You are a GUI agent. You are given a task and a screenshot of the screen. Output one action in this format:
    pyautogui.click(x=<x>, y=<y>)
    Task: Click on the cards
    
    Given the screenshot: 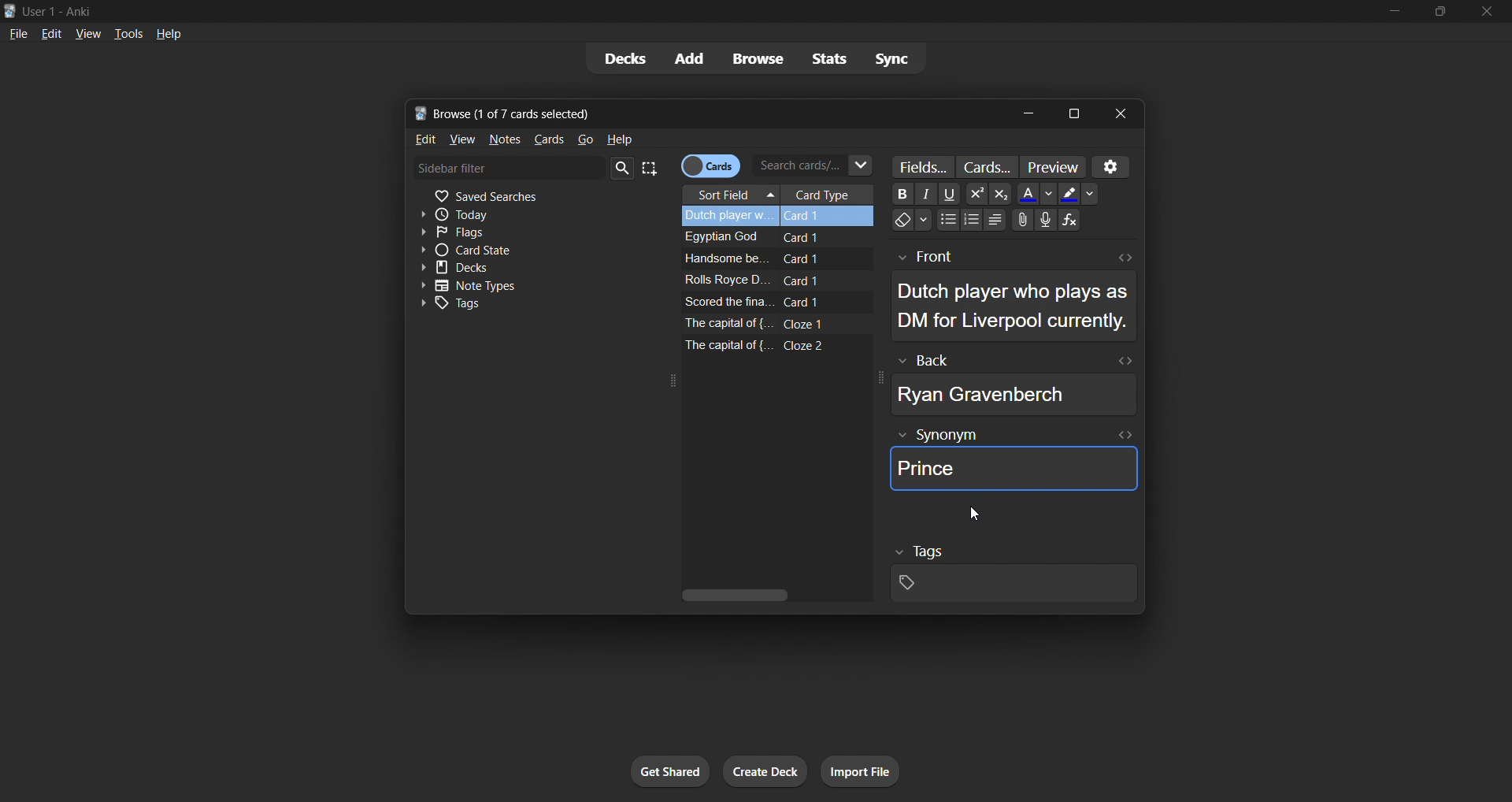 What is the action you would take?
    pyautogui.click(x=551, y=139)
    